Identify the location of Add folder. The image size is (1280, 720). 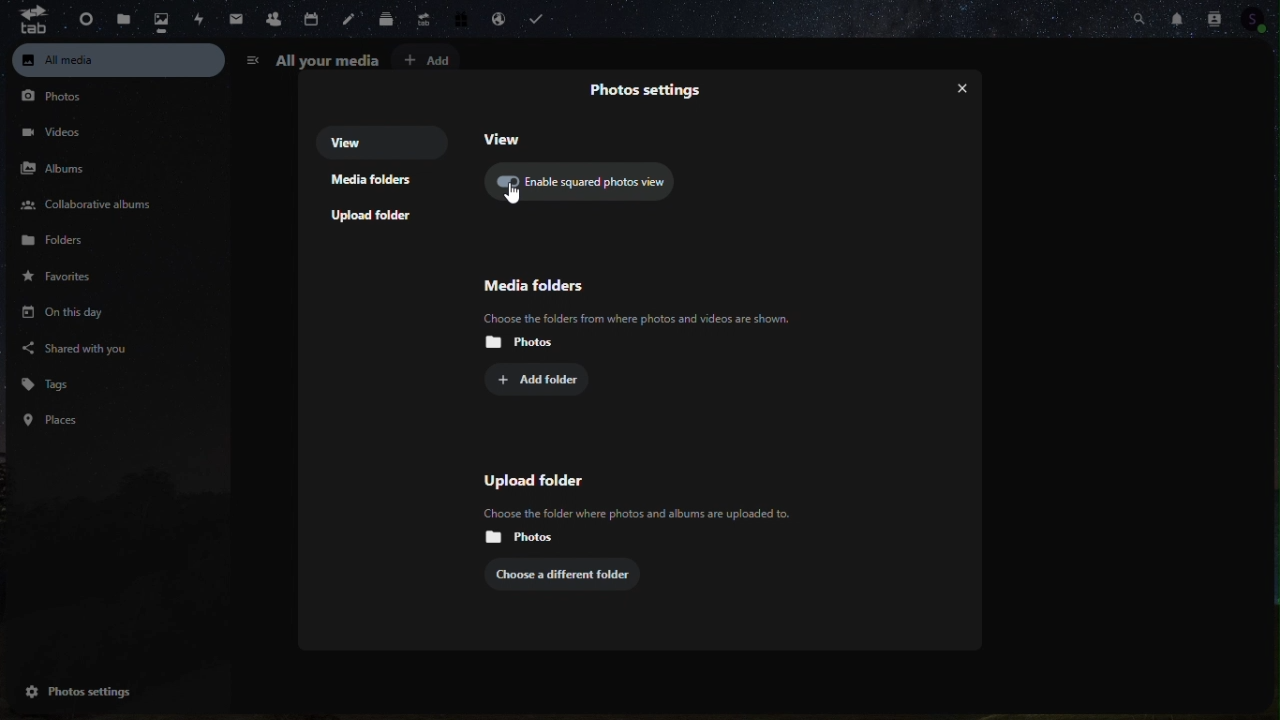
(547, 381).